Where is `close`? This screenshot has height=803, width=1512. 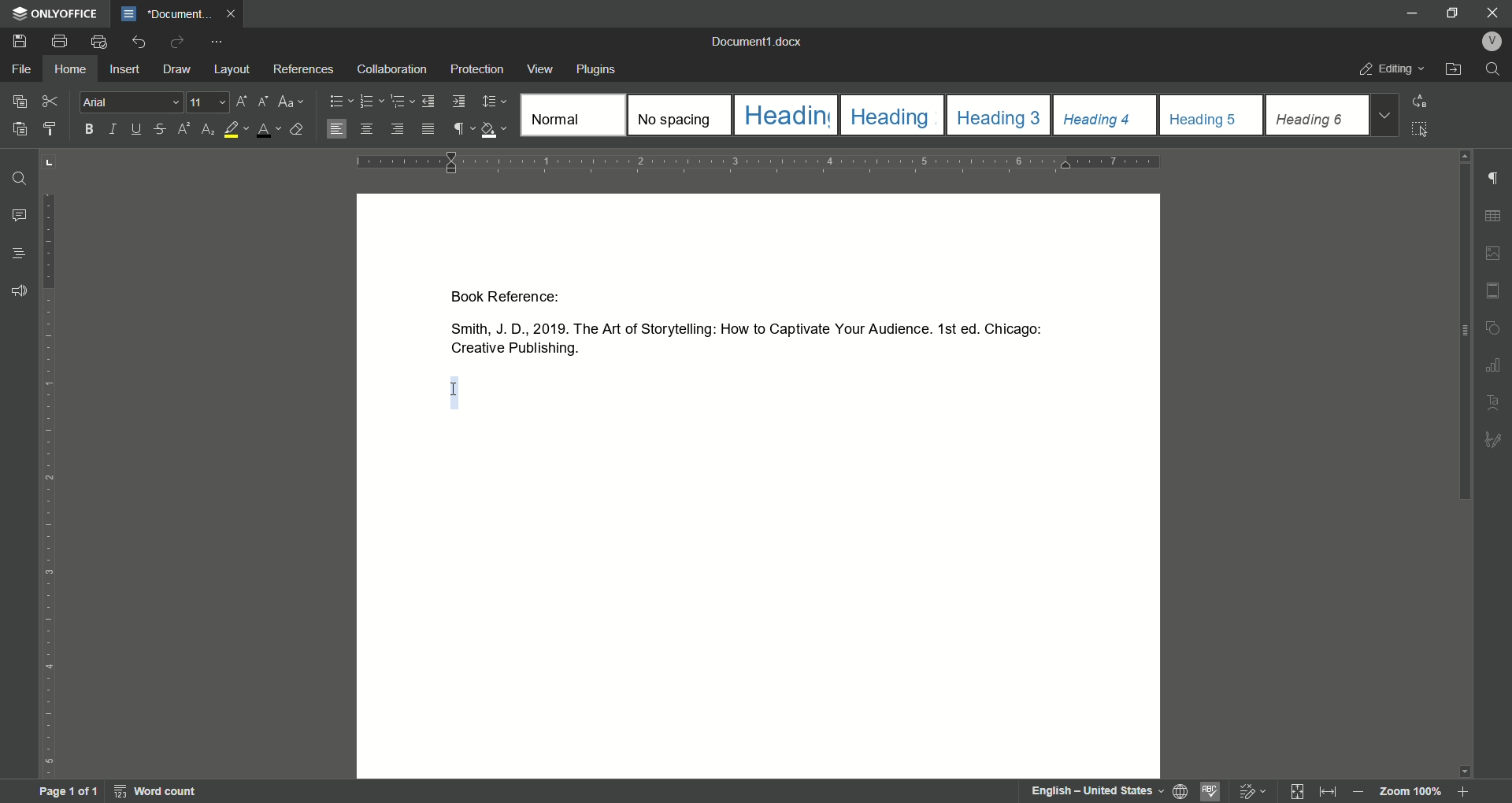
close is located at coordinates (234, 13).